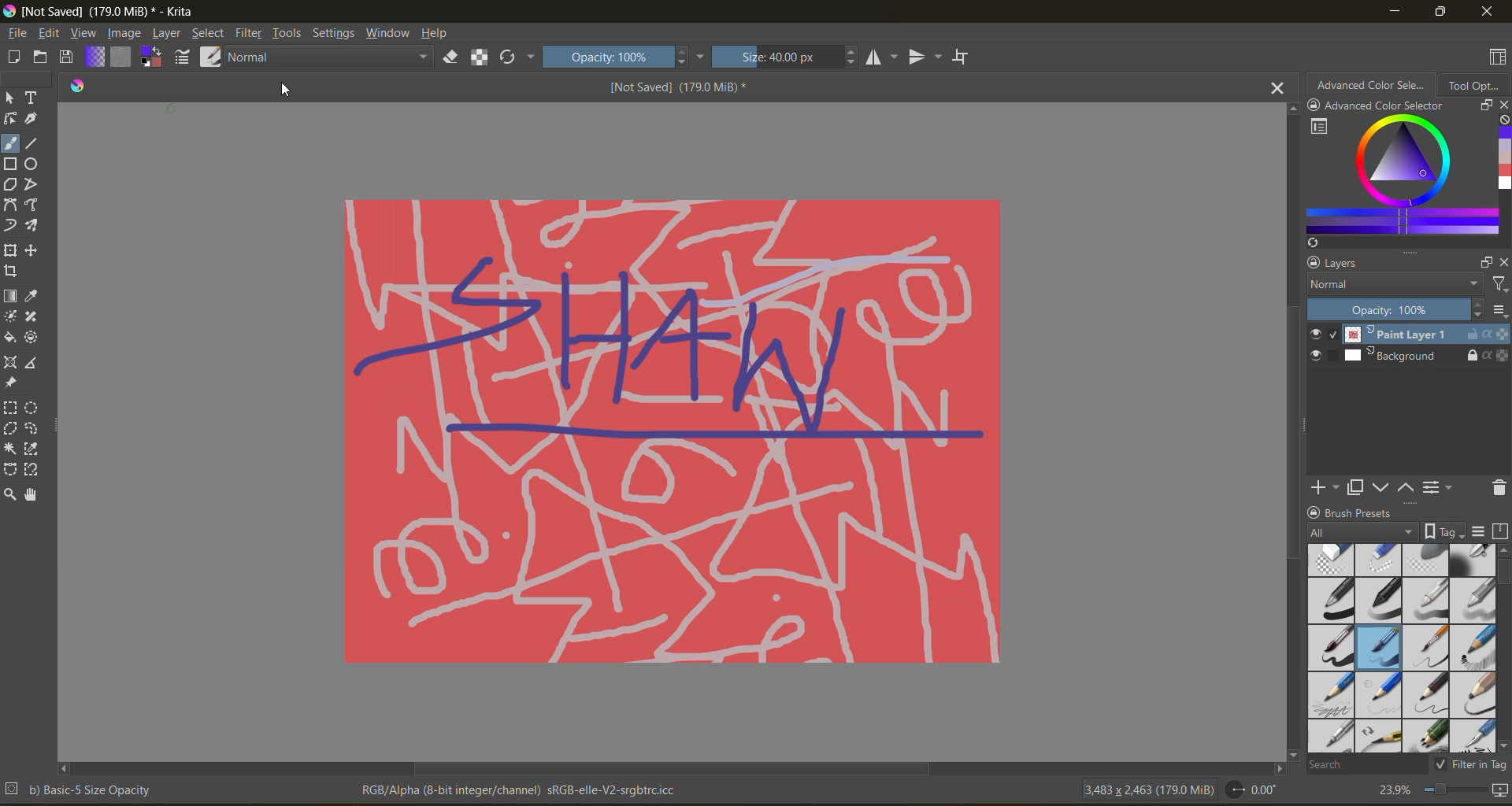  I want to click on calligraphy, so click(34, 118).